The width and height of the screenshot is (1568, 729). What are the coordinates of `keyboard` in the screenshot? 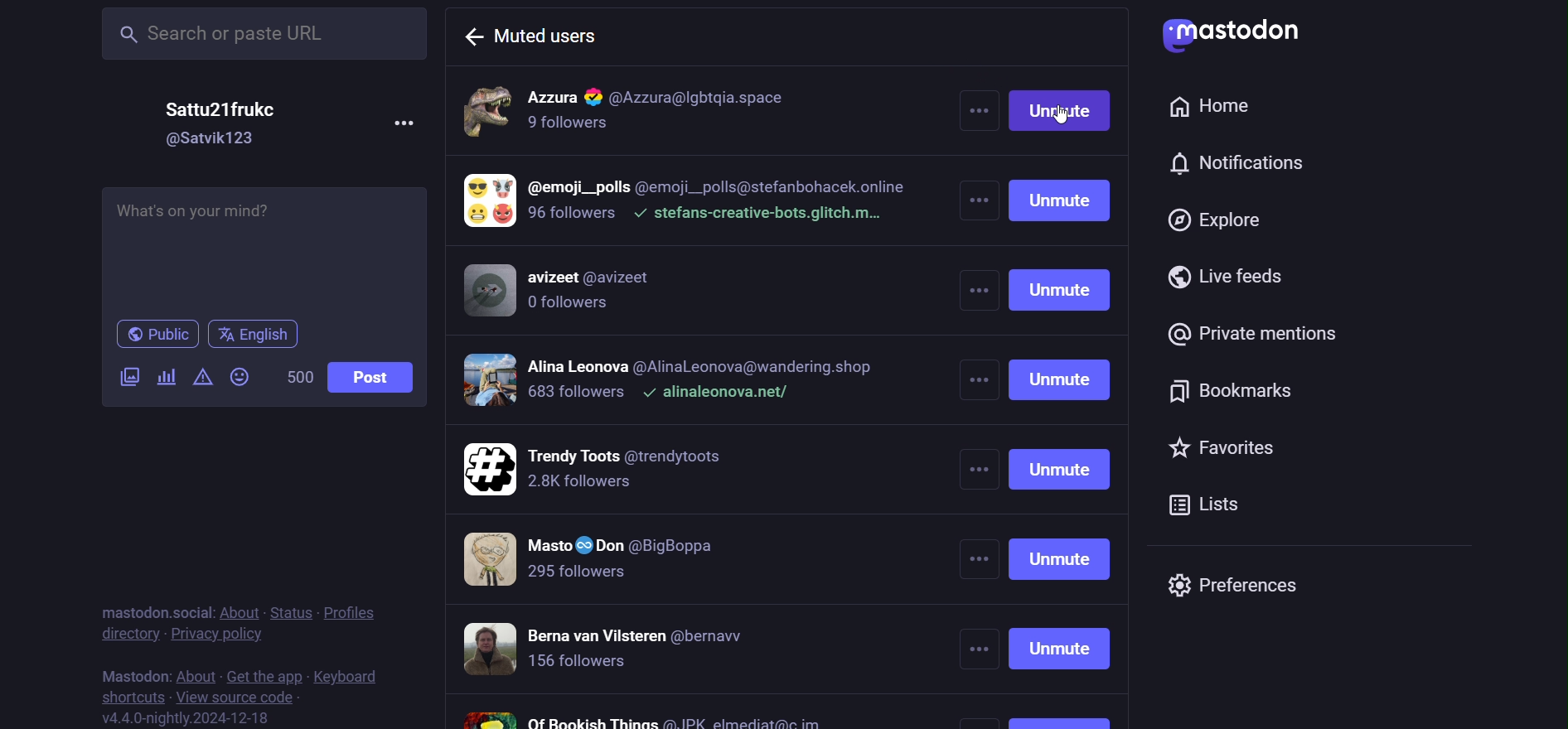 It's located at (349, 676).